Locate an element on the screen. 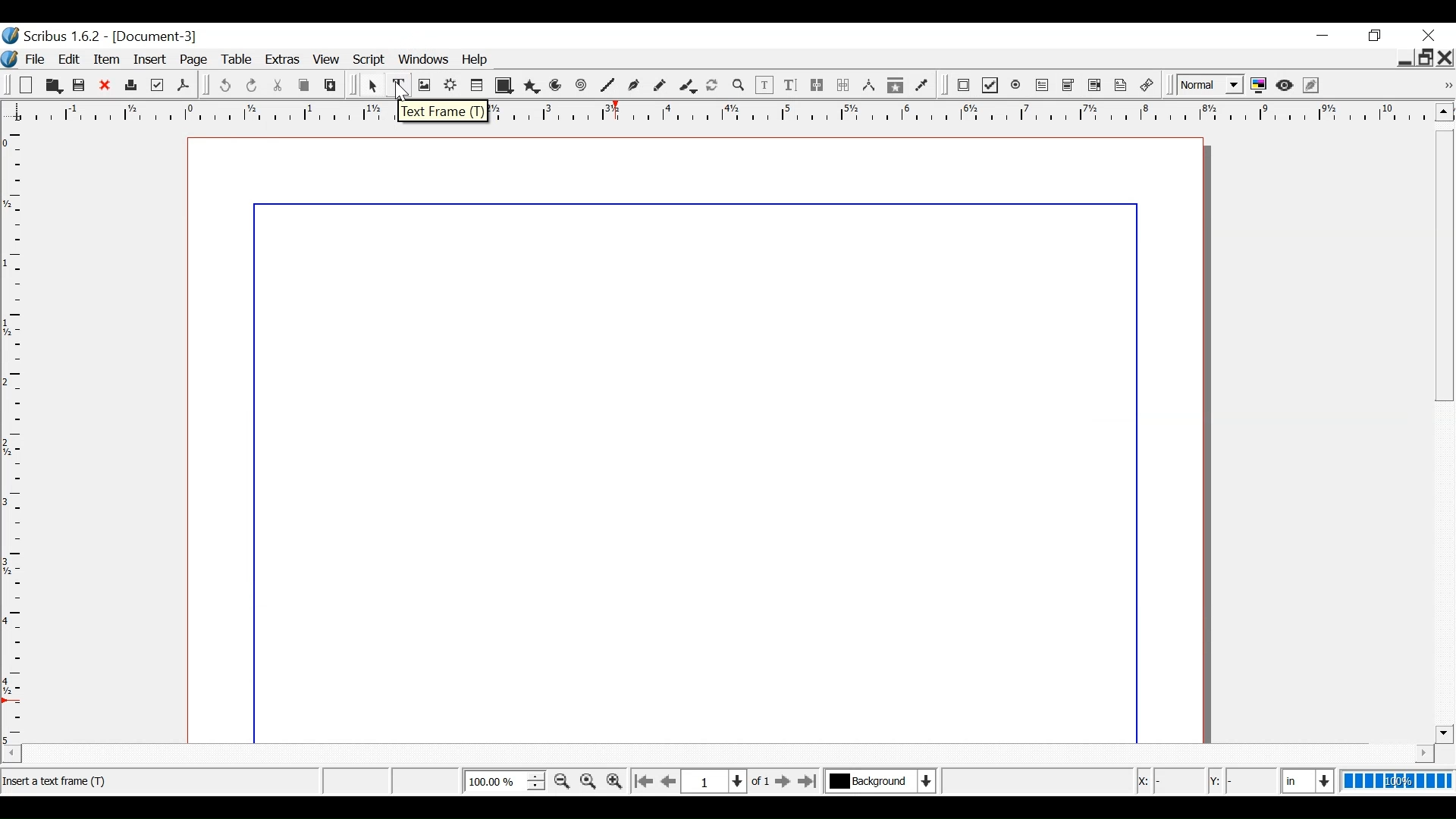 The width and height of the screenshot is (1456, 819). Select is located at coordinates (372, 86).